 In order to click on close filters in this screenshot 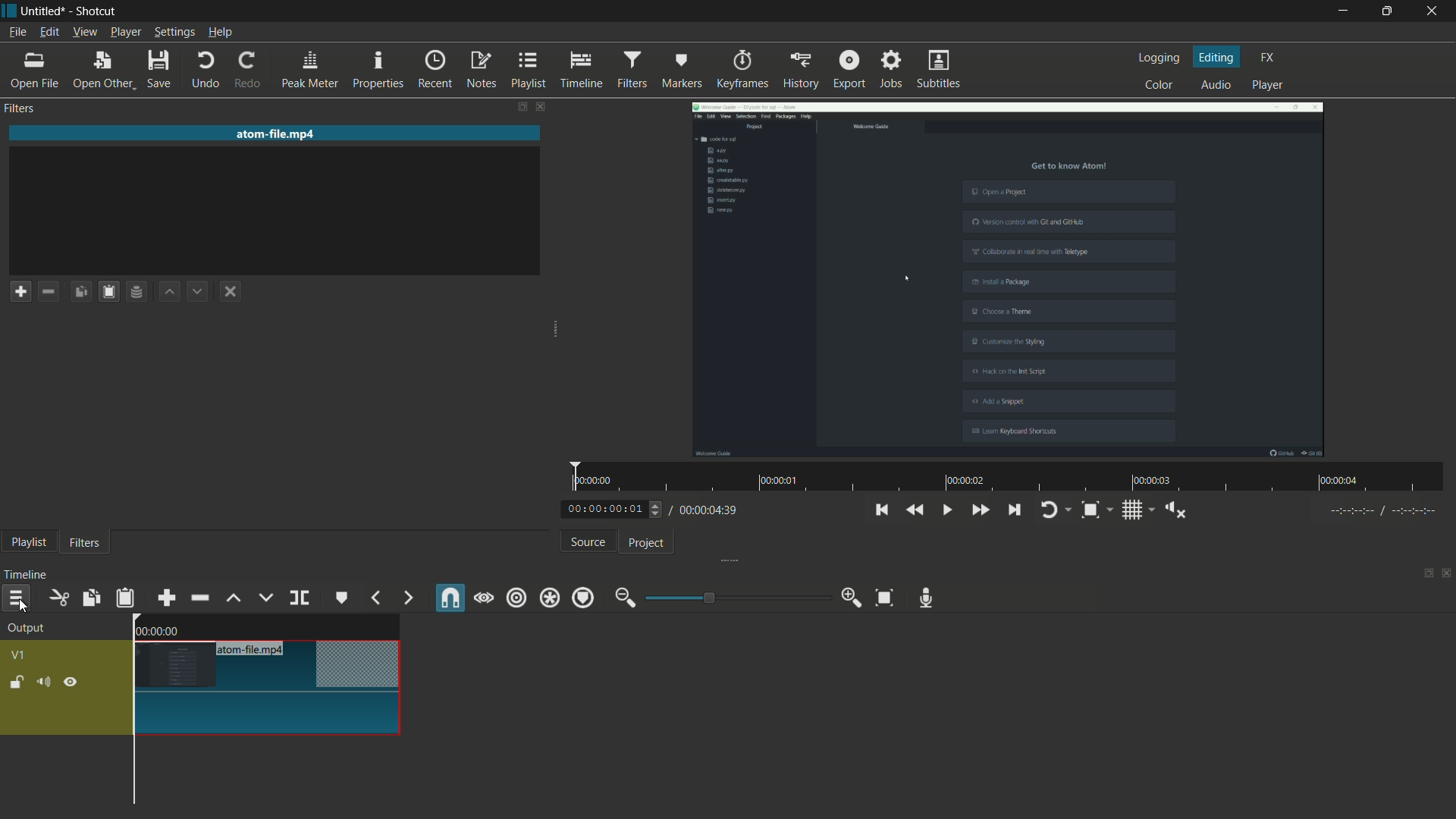, I will do `click(543, 106)`.